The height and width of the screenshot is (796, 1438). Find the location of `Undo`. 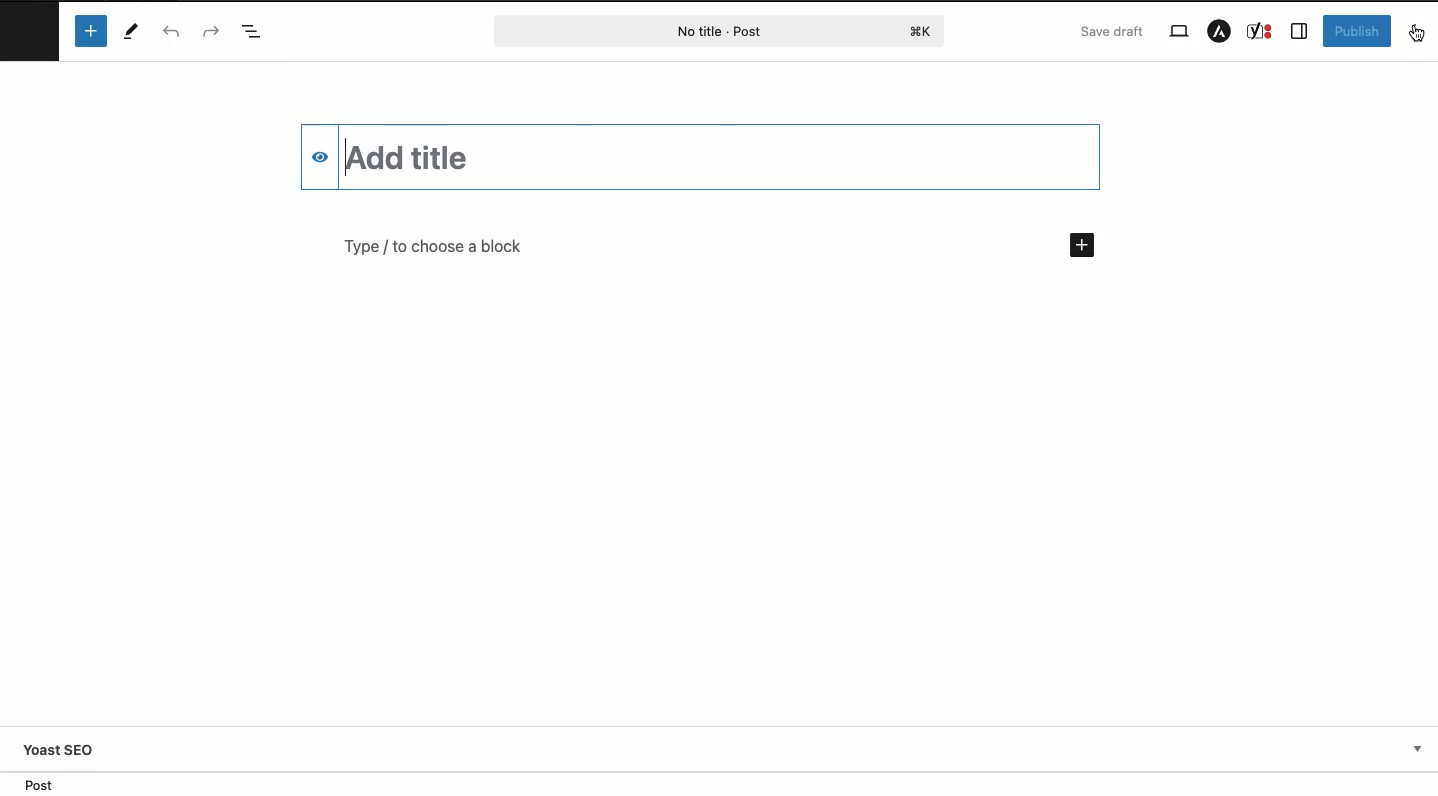

Undo is located at coordinates (173, 33).